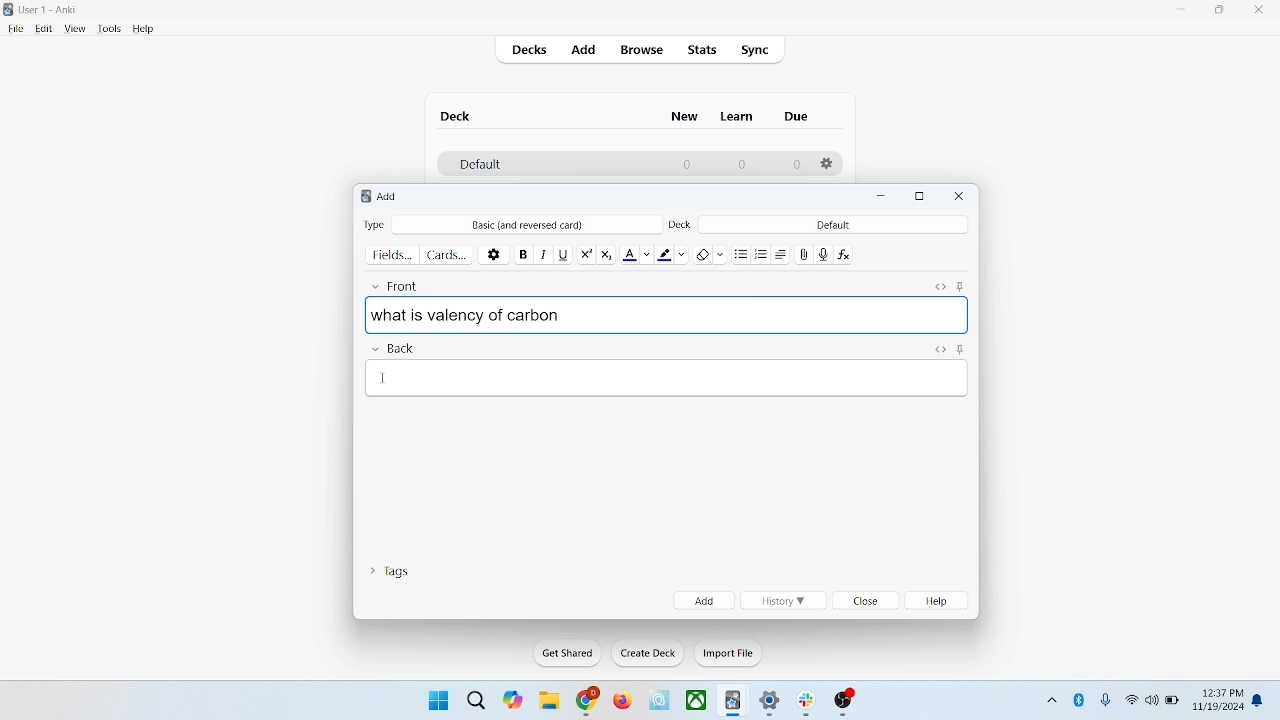 The image size is (1280, 720). Describe the element at coordinates (960, 284) in the screenshot. I see `sticky` at that location.